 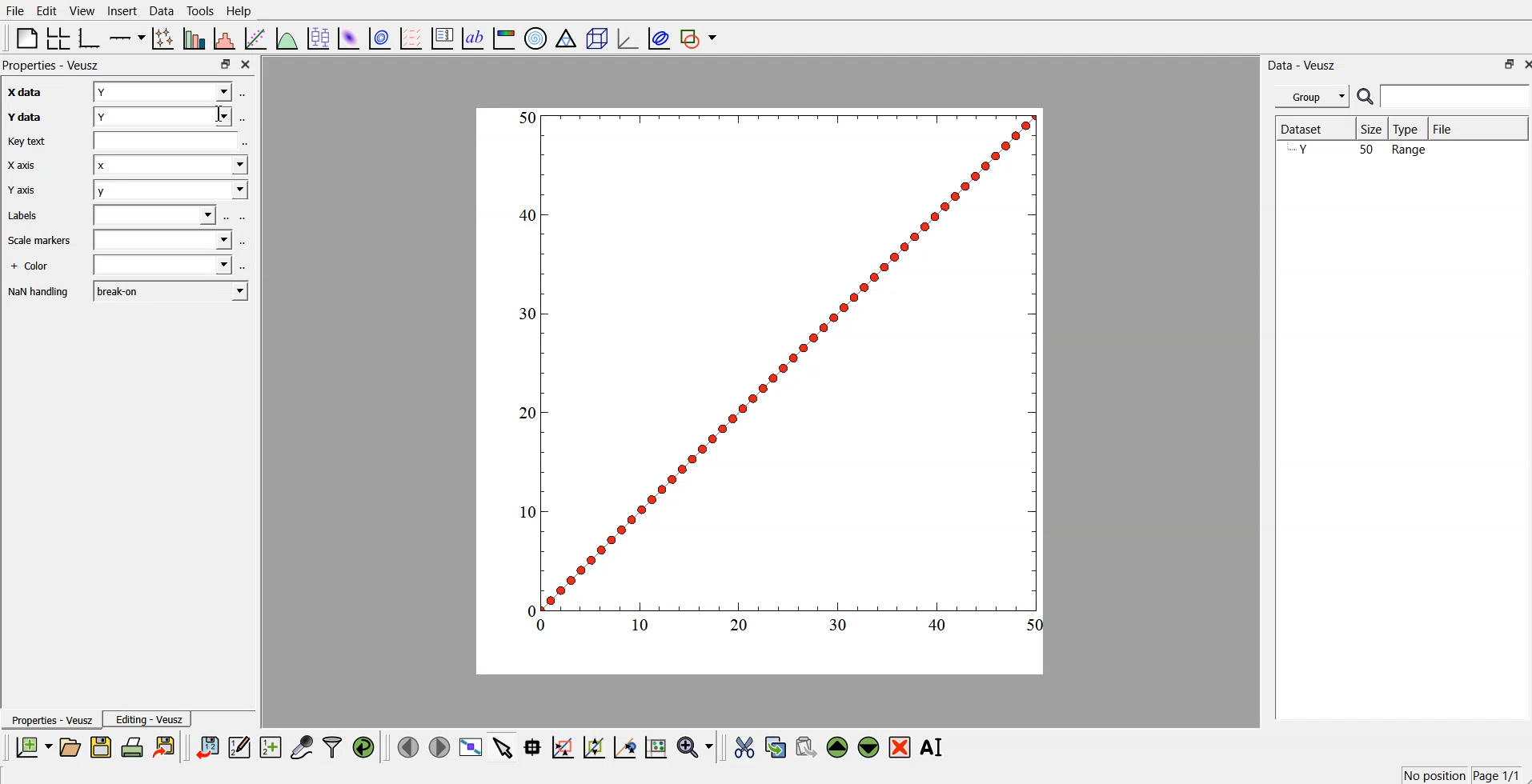 What do you see at coordinates (624, 747) in the screenshot?
I see `recenter graph axes` at bounding box center [624, 747].